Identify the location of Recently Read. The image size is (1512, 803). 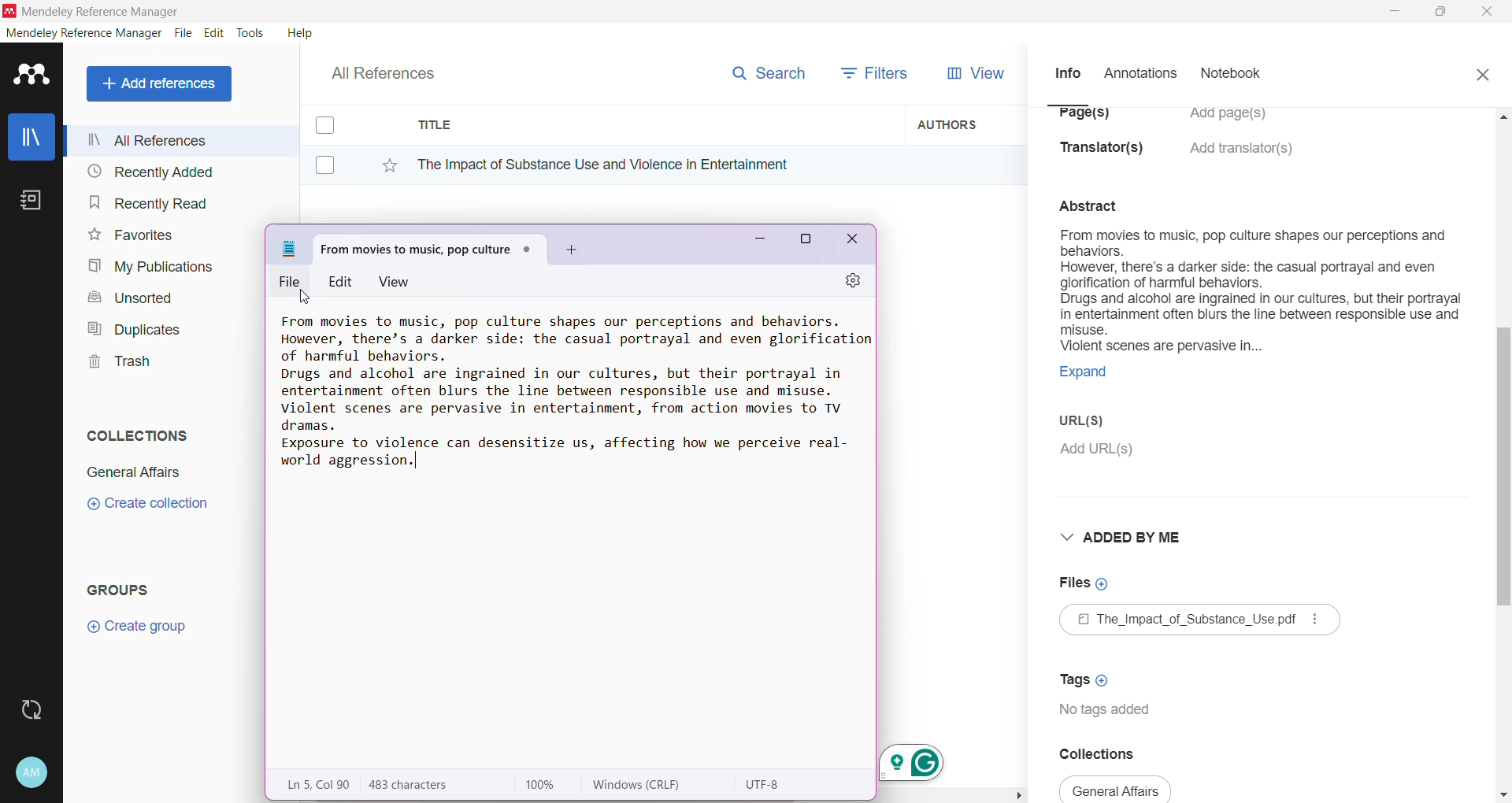
(148, 202).